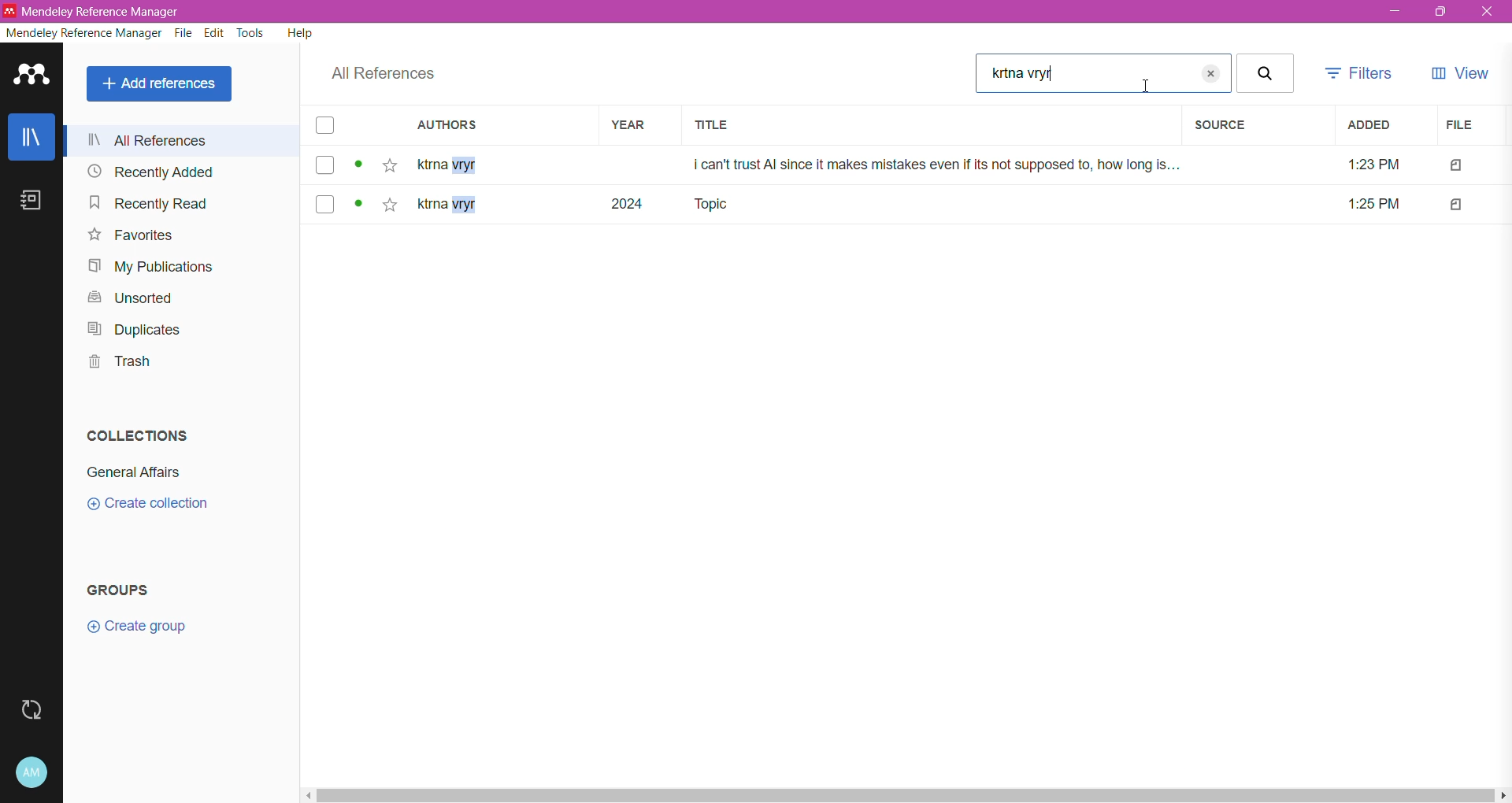 Image resolution: width=1512 pixels, height=803 pixels. Describe the element at coordinates (153, 505) in the screenshot. I see `Click to Create Collection` at that location.